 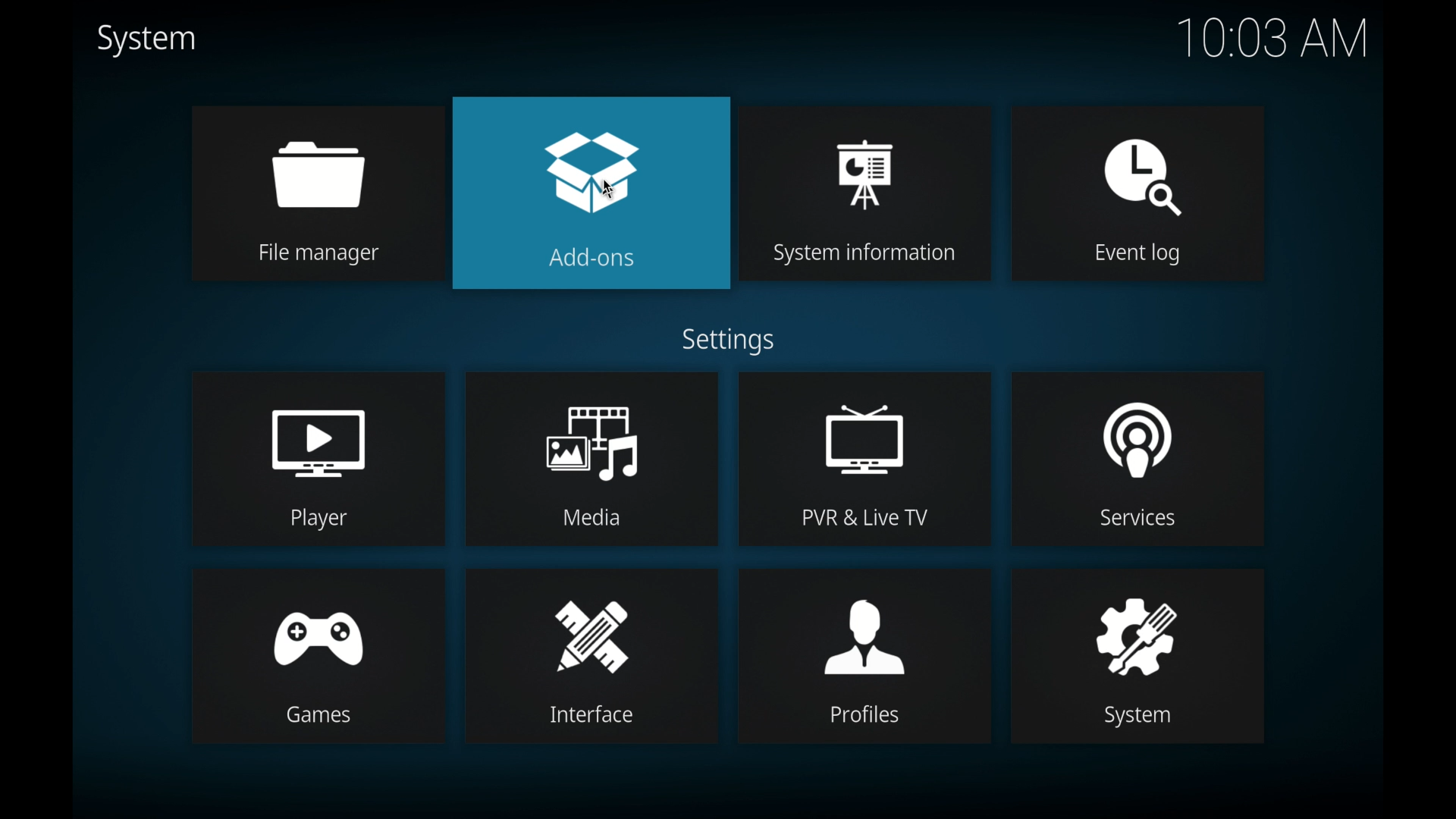 I want to click on event log, so click(x=1138, y=193).